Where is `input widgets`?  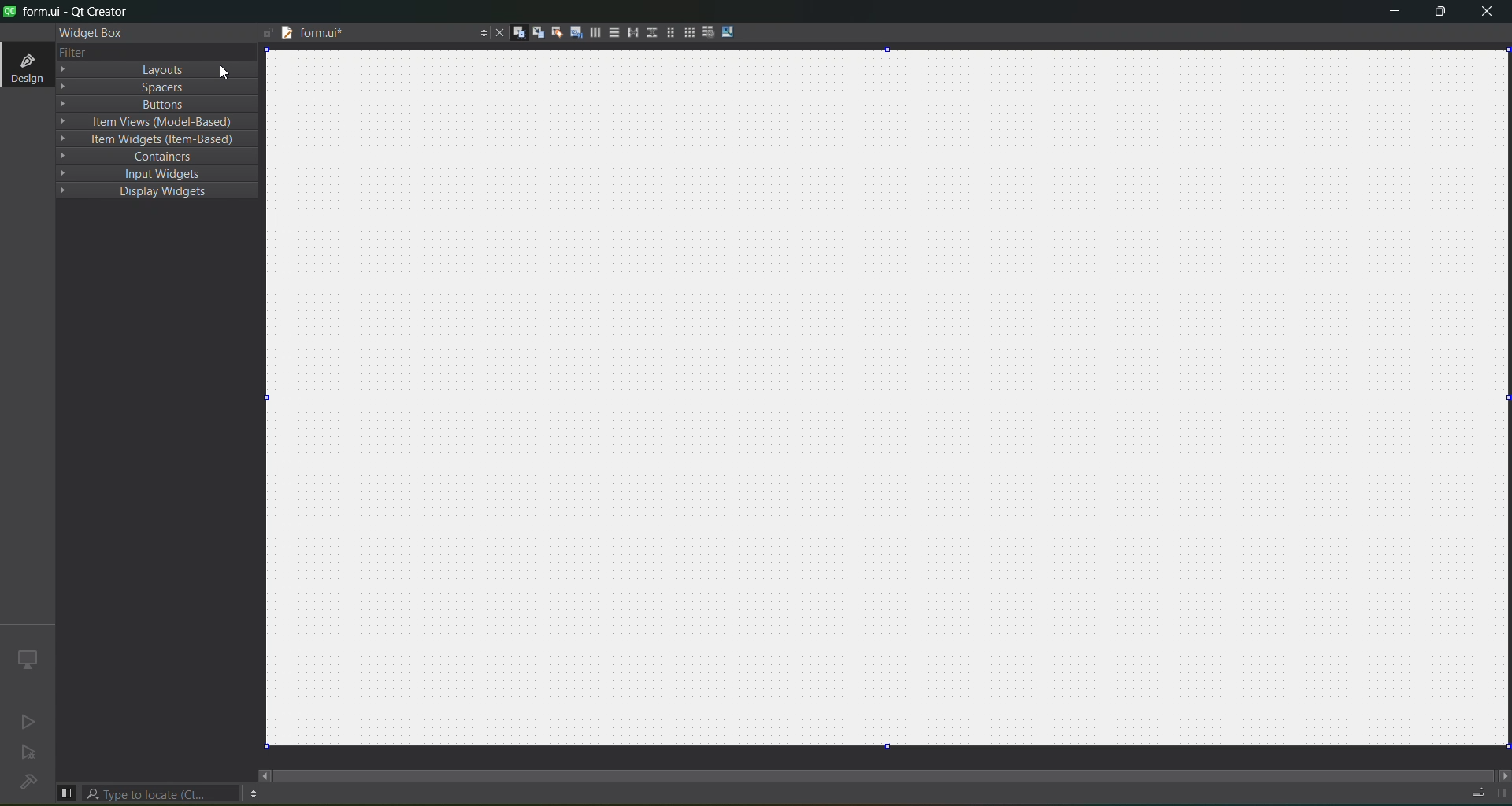
input widgets is located at coordinates (160, 175).